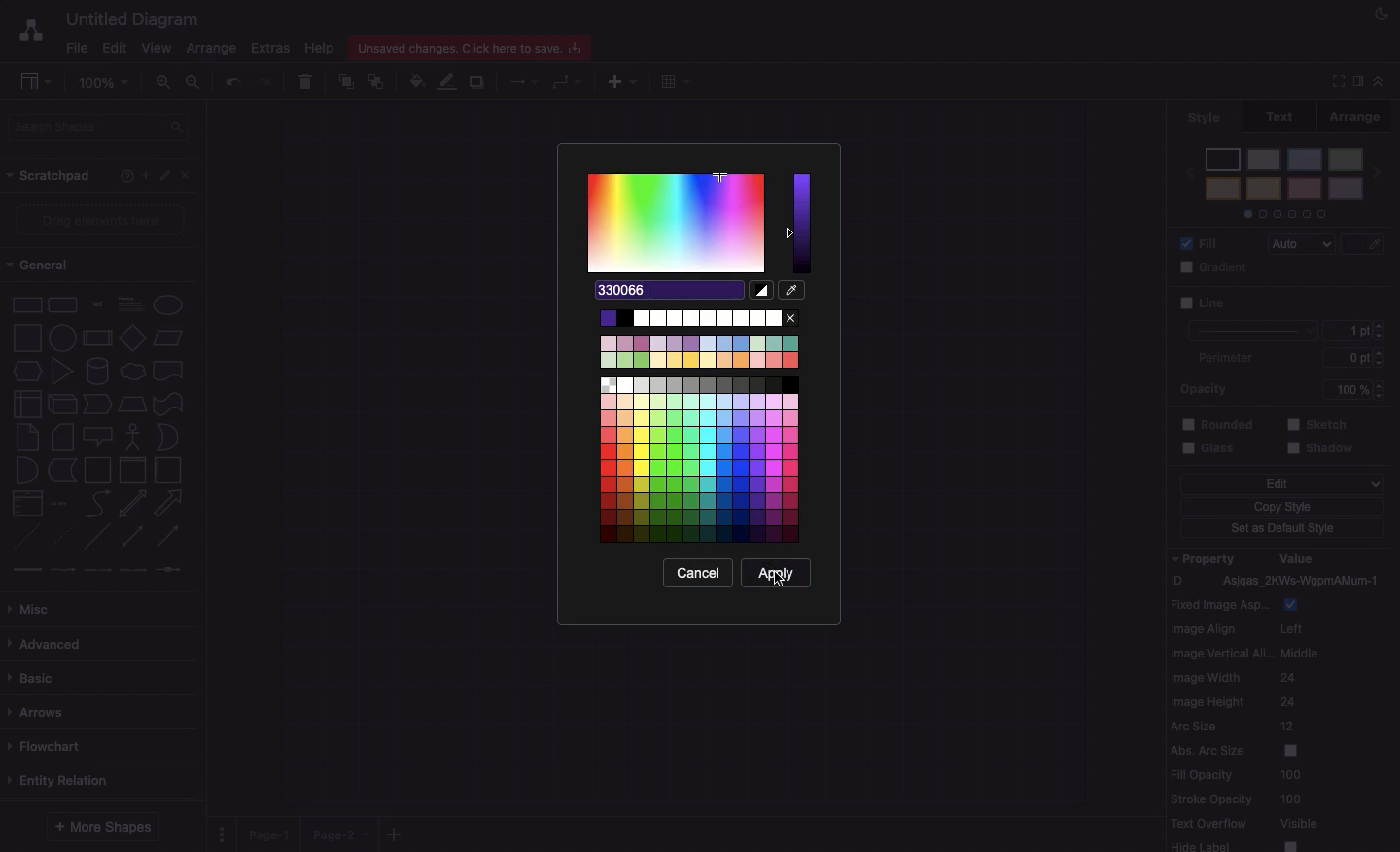 The height and width of the screenshot is (852, 1400). I want to click on or, so click(167, 438).